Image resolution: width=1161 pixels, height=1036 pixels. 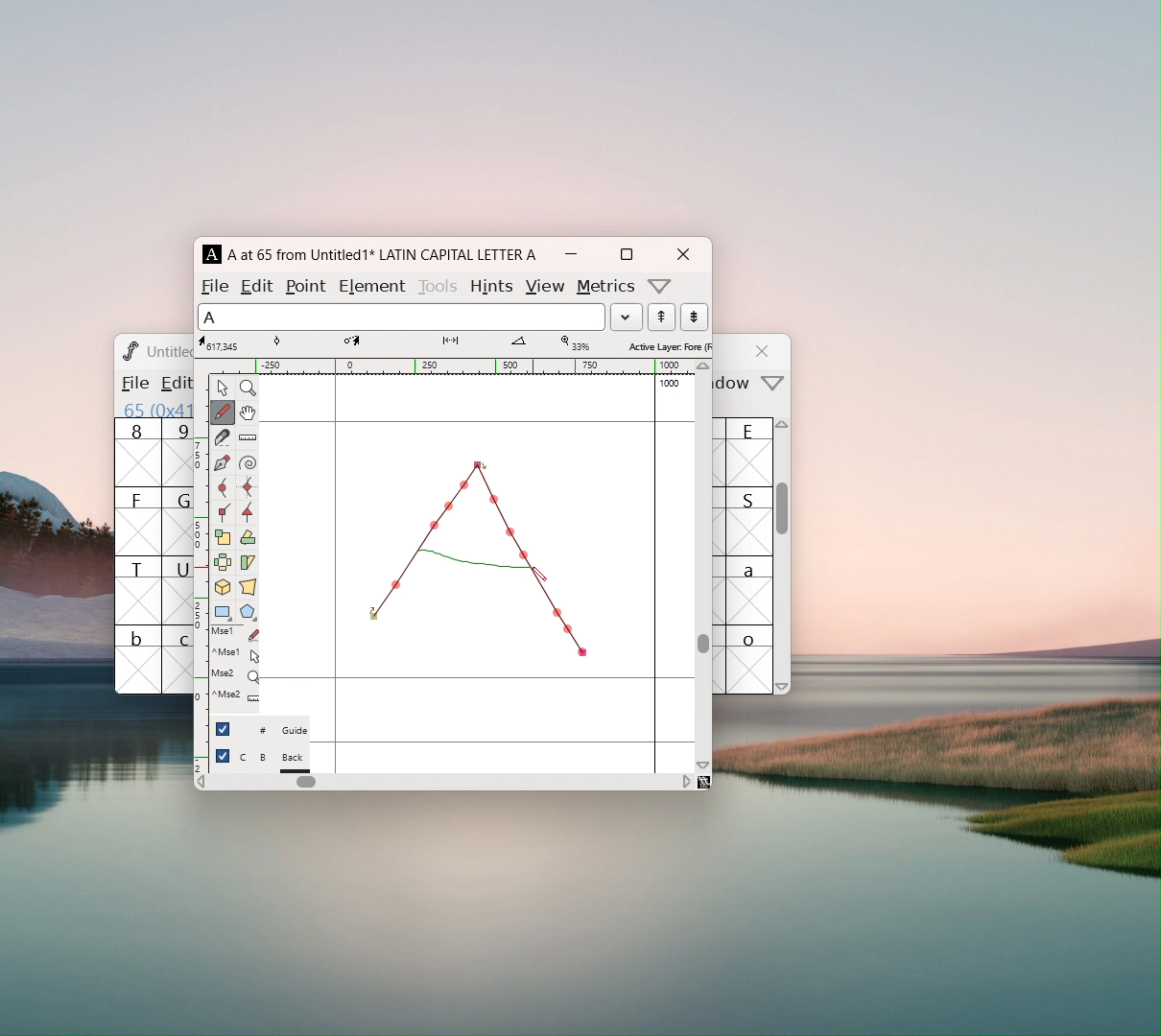 I want to click on file, so click(x=215, y=286).